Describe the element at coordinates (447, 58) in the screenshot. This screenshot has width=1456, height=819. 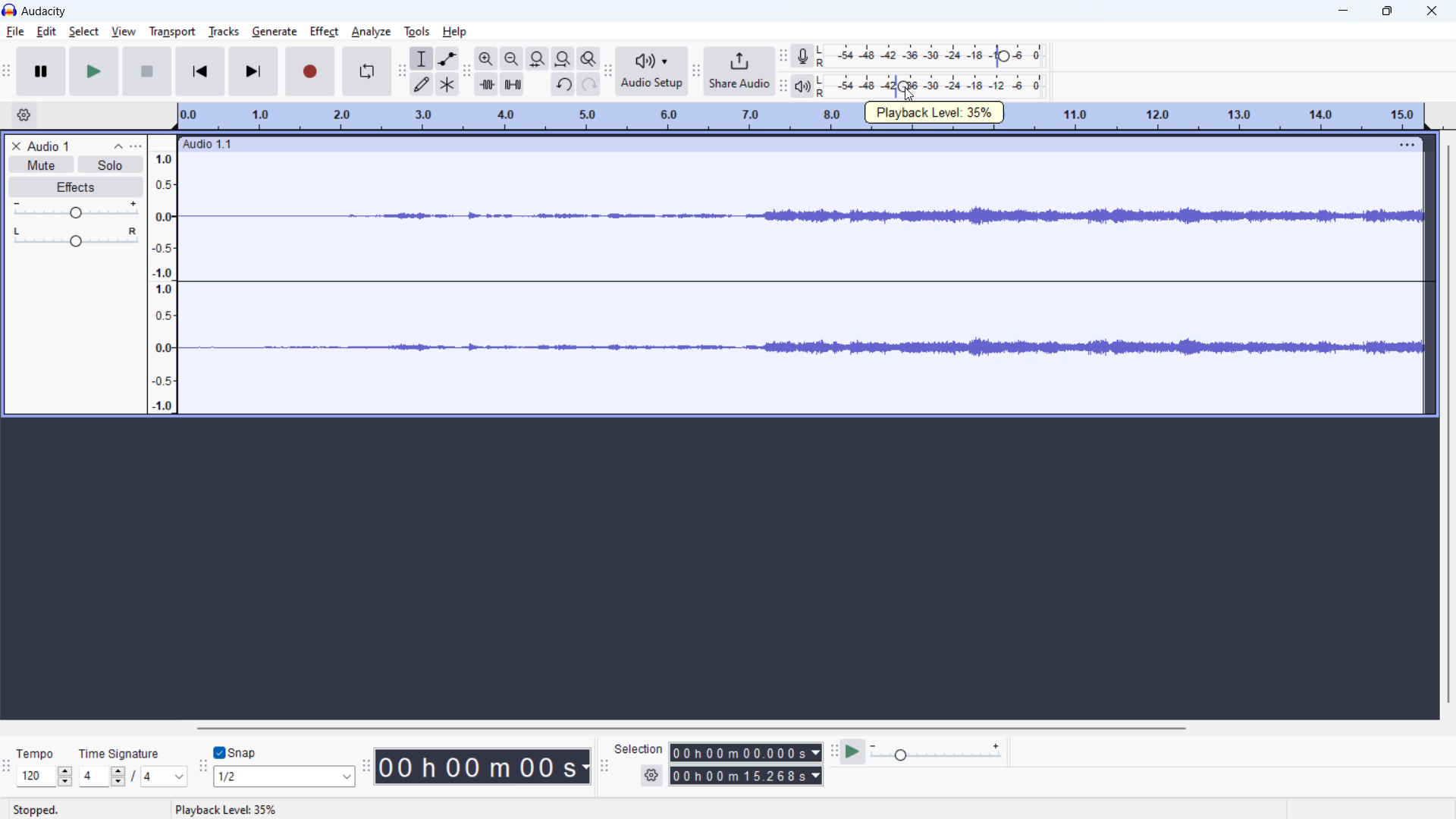
I see `envelop tool` at that location.